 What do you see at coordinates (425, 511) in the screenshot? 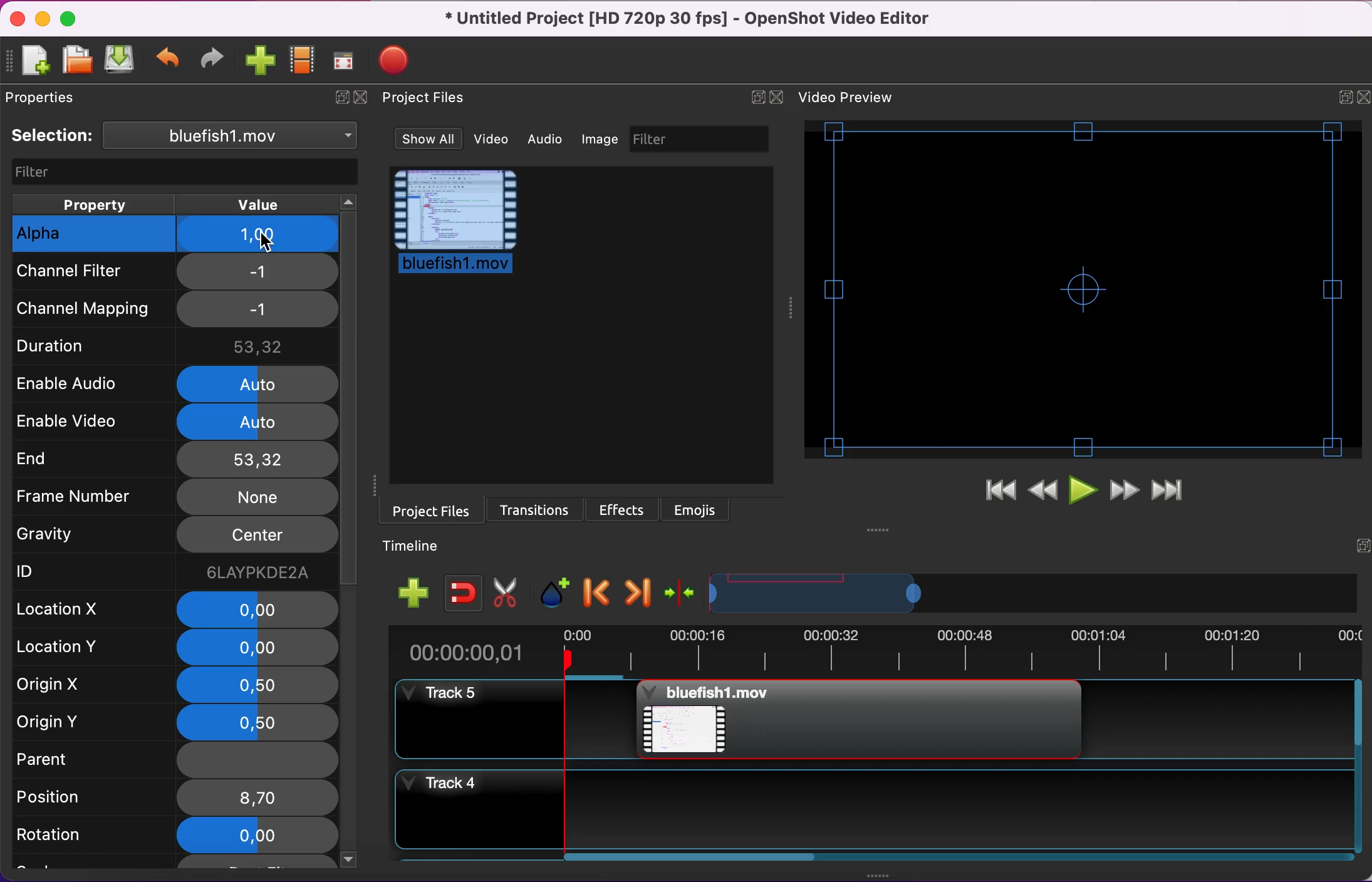
I see `project files` at bounding box center [425, 511].